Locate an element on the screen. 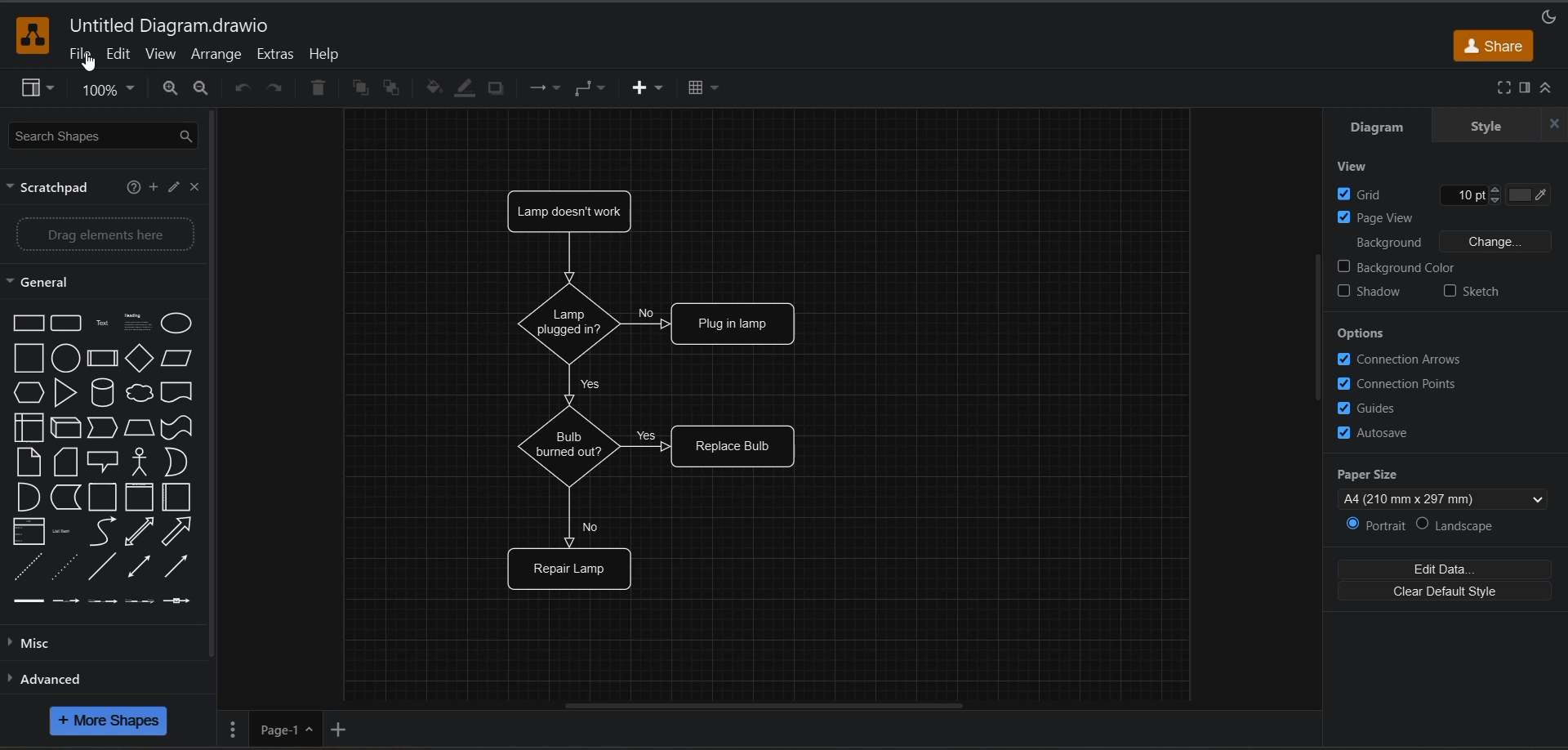  connection is located at coordinates (543, 89).